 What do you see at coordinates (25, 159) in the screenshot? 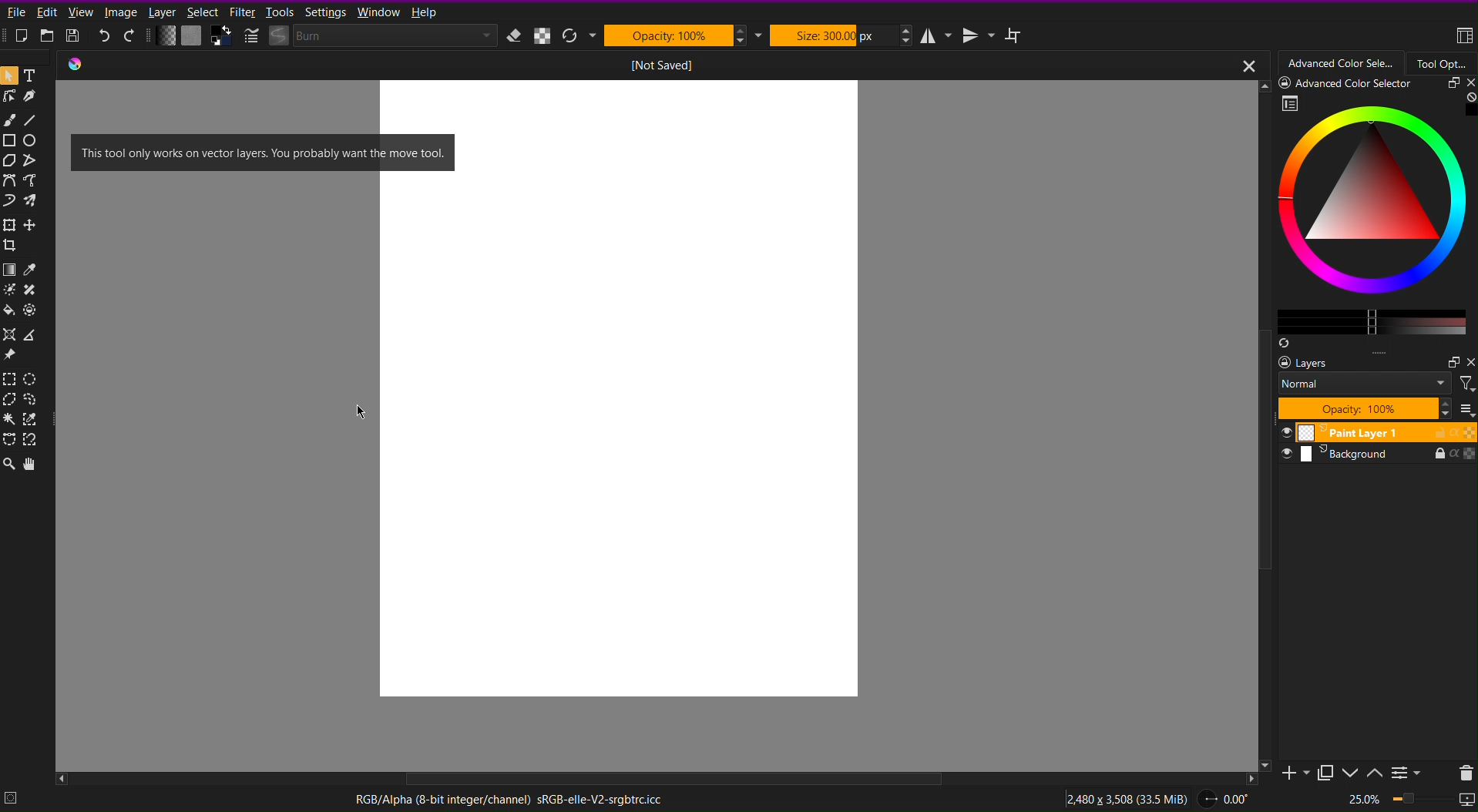
I see `Polygon Tools` at bounding box center [25, 159].